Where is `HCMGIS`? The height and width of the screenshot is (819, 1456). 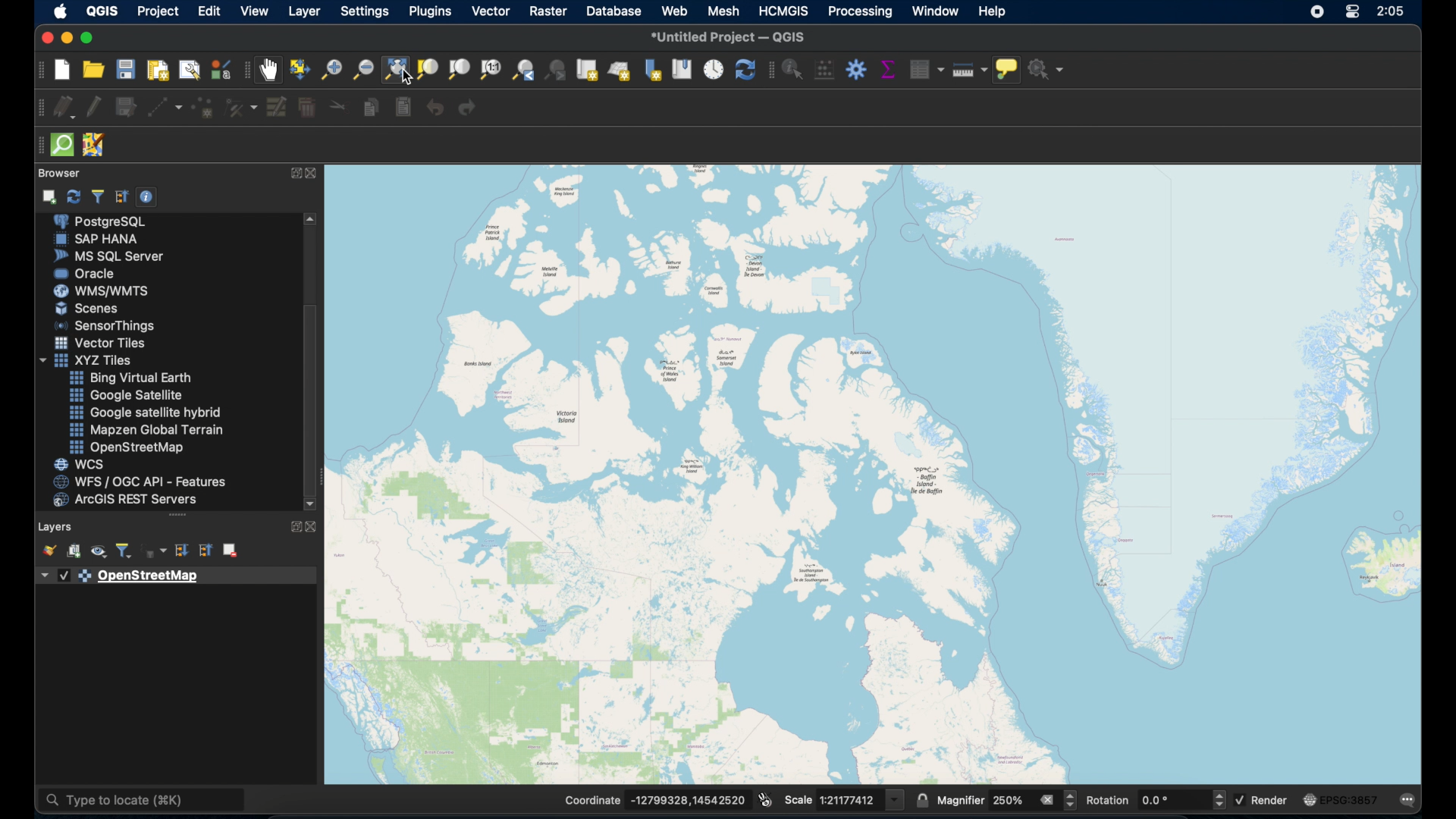 HCMGIS is located at coordinates (782, 11).